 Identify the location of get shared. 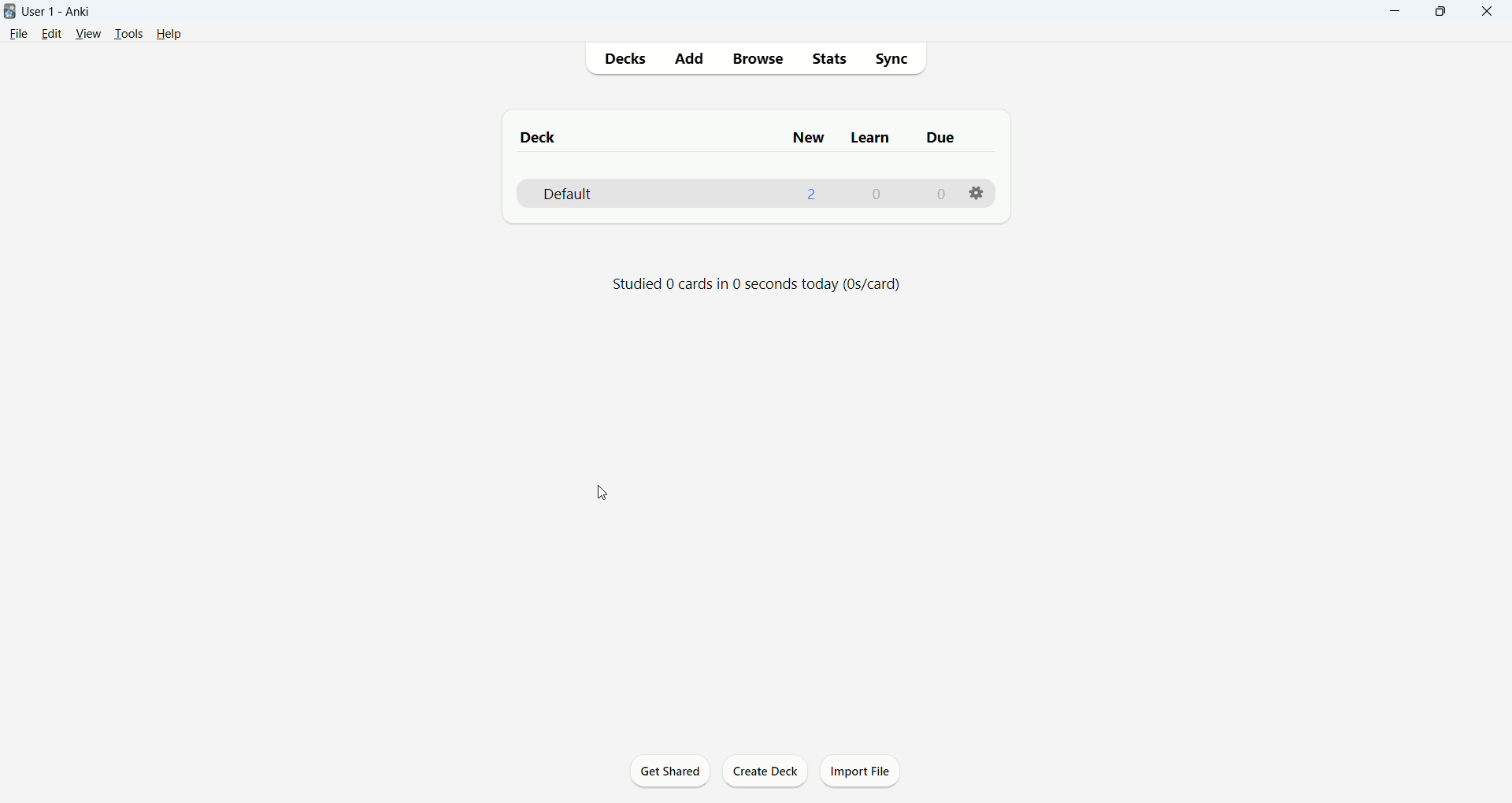
(670, 772).